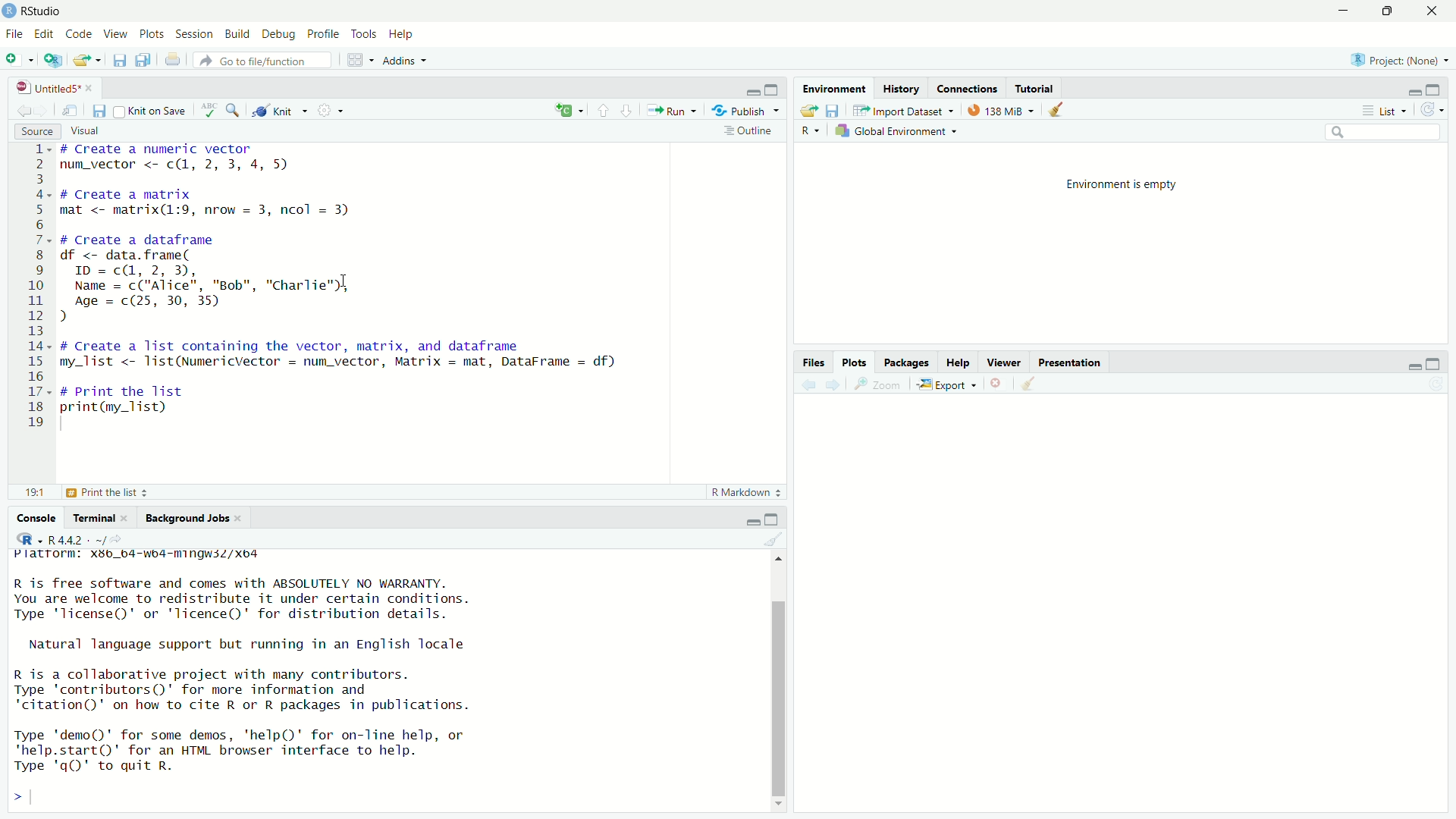  I want to click on Platrorm: Xx¥b_b4-wb4-mingw3Z/xo4

R is free software and comes with ABSOLUTELY NO WARRANTY.

You are welcome to redistribute it under certain conditions.

Type 'license()' or 'licence()' for distribution details.
Natural language support but running in an English locale

R is a collaborative project with many contributors.

Type 'contributors()' for more information and

‘citation()' on how to cite R or R packages in publications.

Type 'demo()' for some demos, 'help()' for on-line help, or

'help.start()' for an HTML browser interface to help.

Type 'qQ)' to quit R.

>, so click(285, 679).